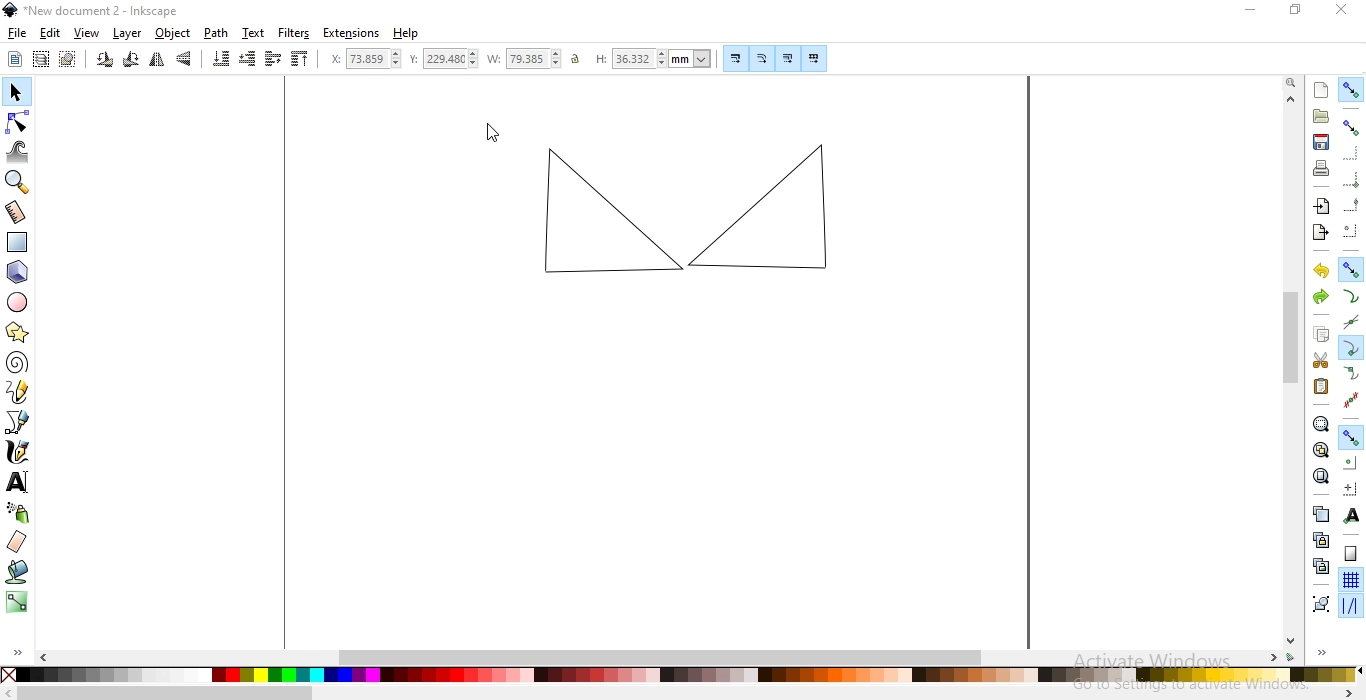 The image size is (1366, 700). What do you see at coordinates (681, 214) in the screenshot?
I see `object image` at bounding box center [681, 214].